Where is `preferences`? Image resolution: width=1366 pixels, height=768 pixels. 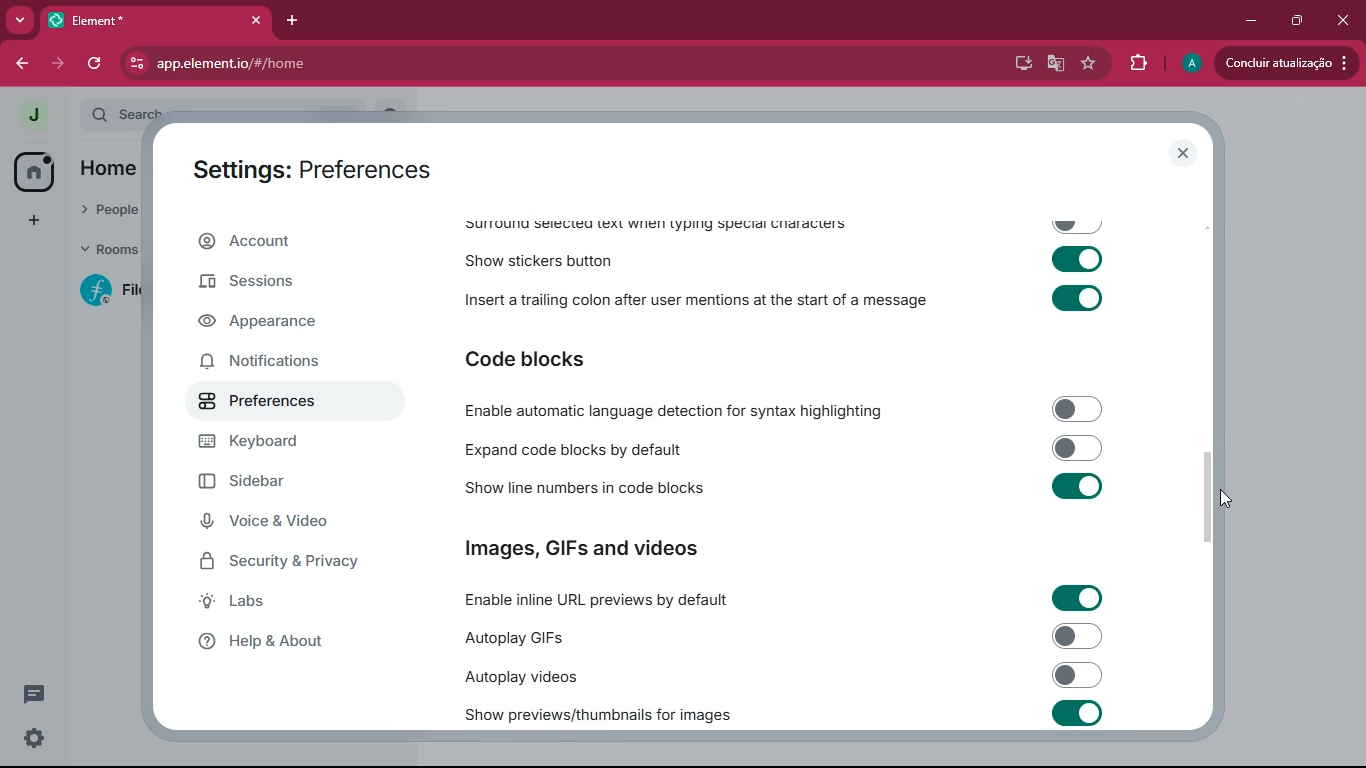
preferences is located at coordinates (277, 405).